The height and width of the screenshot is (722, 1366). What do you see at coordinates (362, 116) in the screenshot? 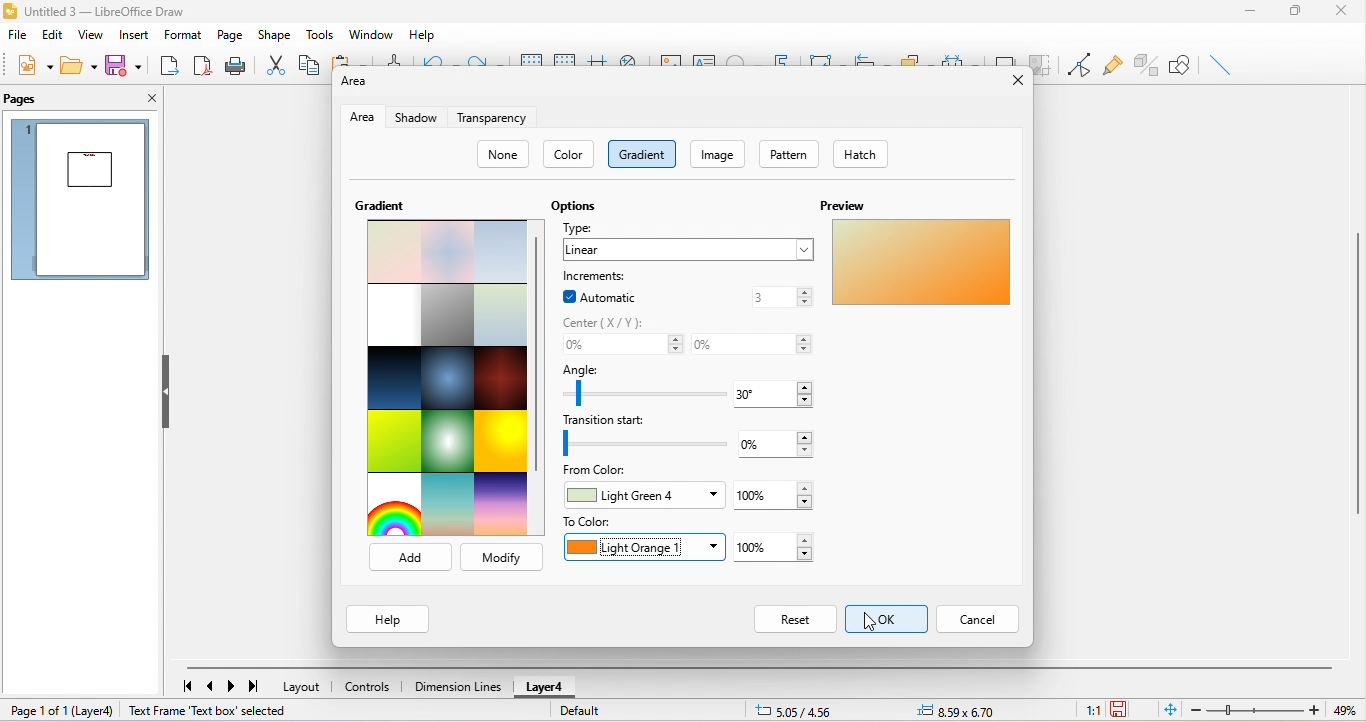
I see `area` at bounding box center [362, 116].